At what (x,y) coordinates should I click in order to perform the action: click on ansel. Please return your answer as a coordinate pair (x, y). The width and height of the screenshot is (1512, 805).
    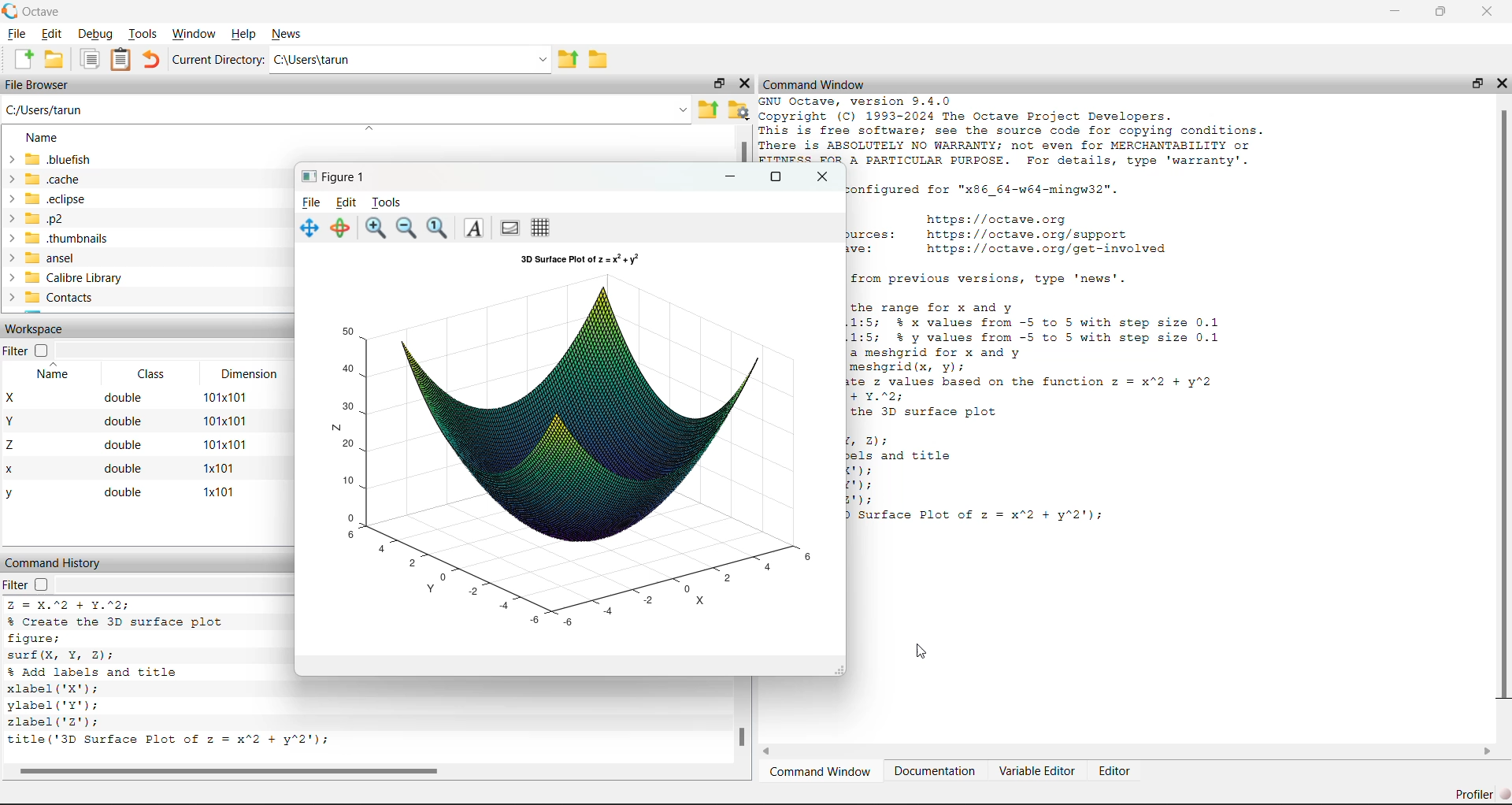
    Looking at the image, I should click on (47, 258).